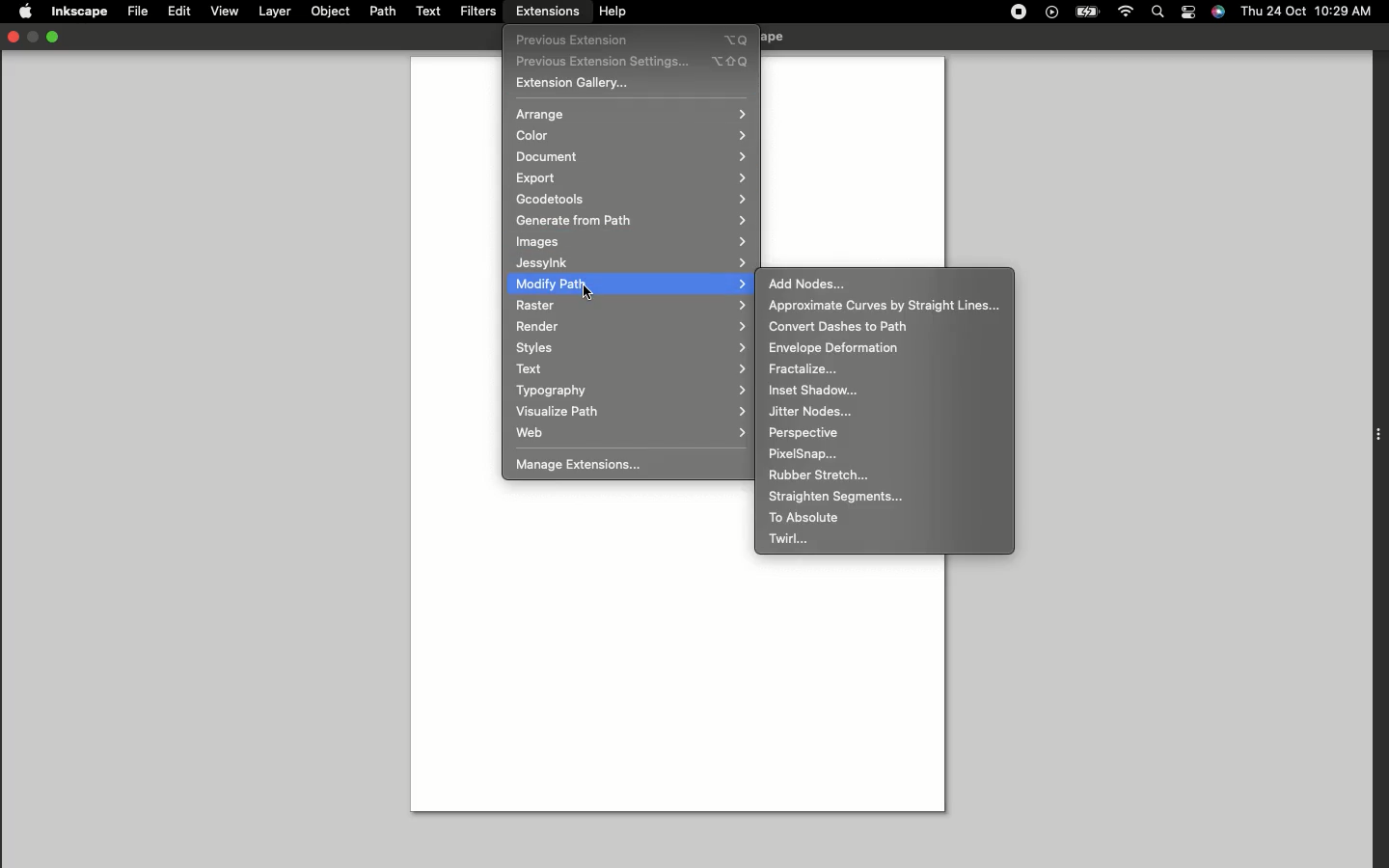  I want to click on Fractalize, so click(806, 370).